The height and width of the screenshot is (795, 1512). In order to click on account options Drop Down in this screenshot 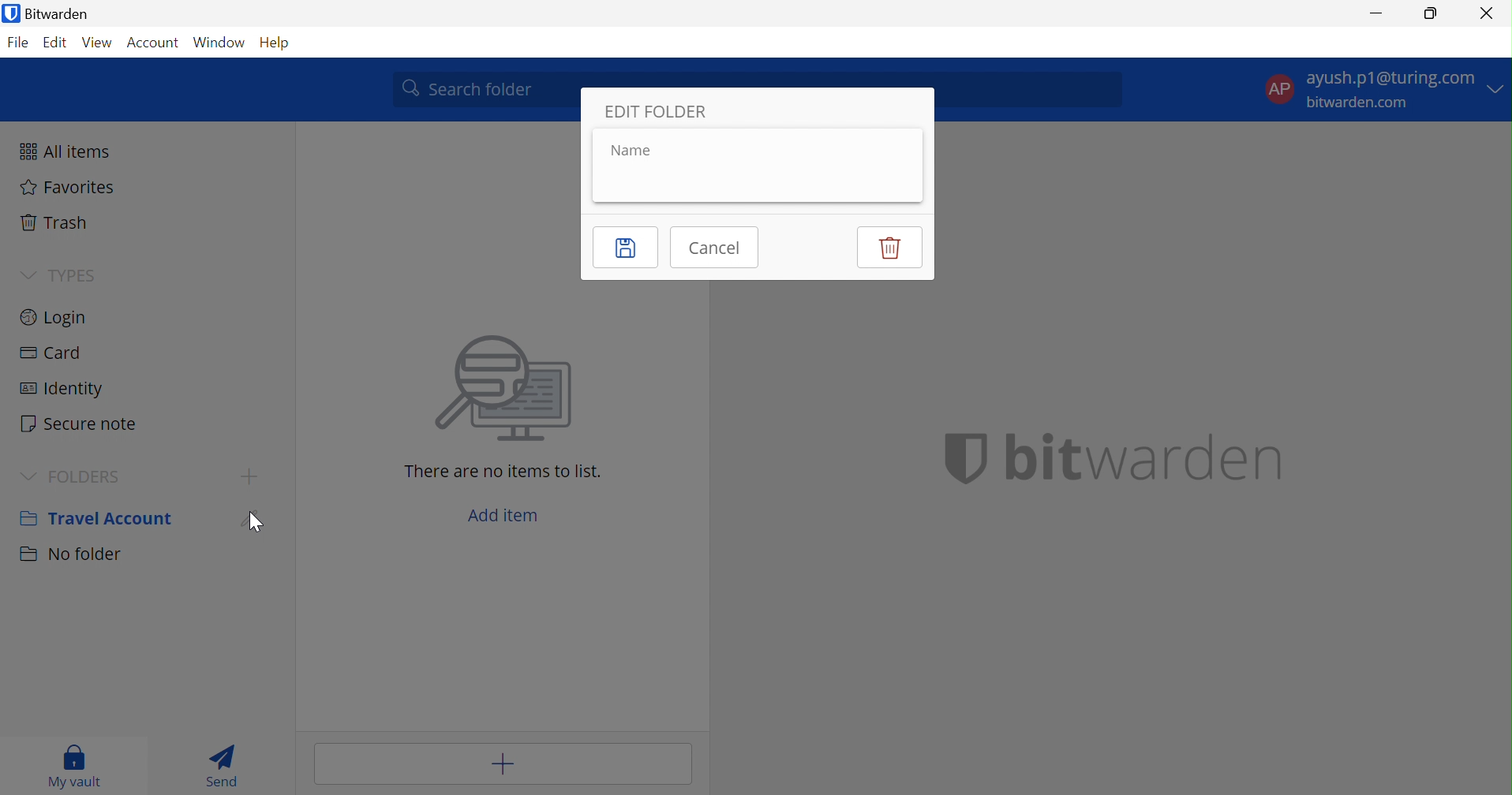, I will do `click(1382, 93)`.